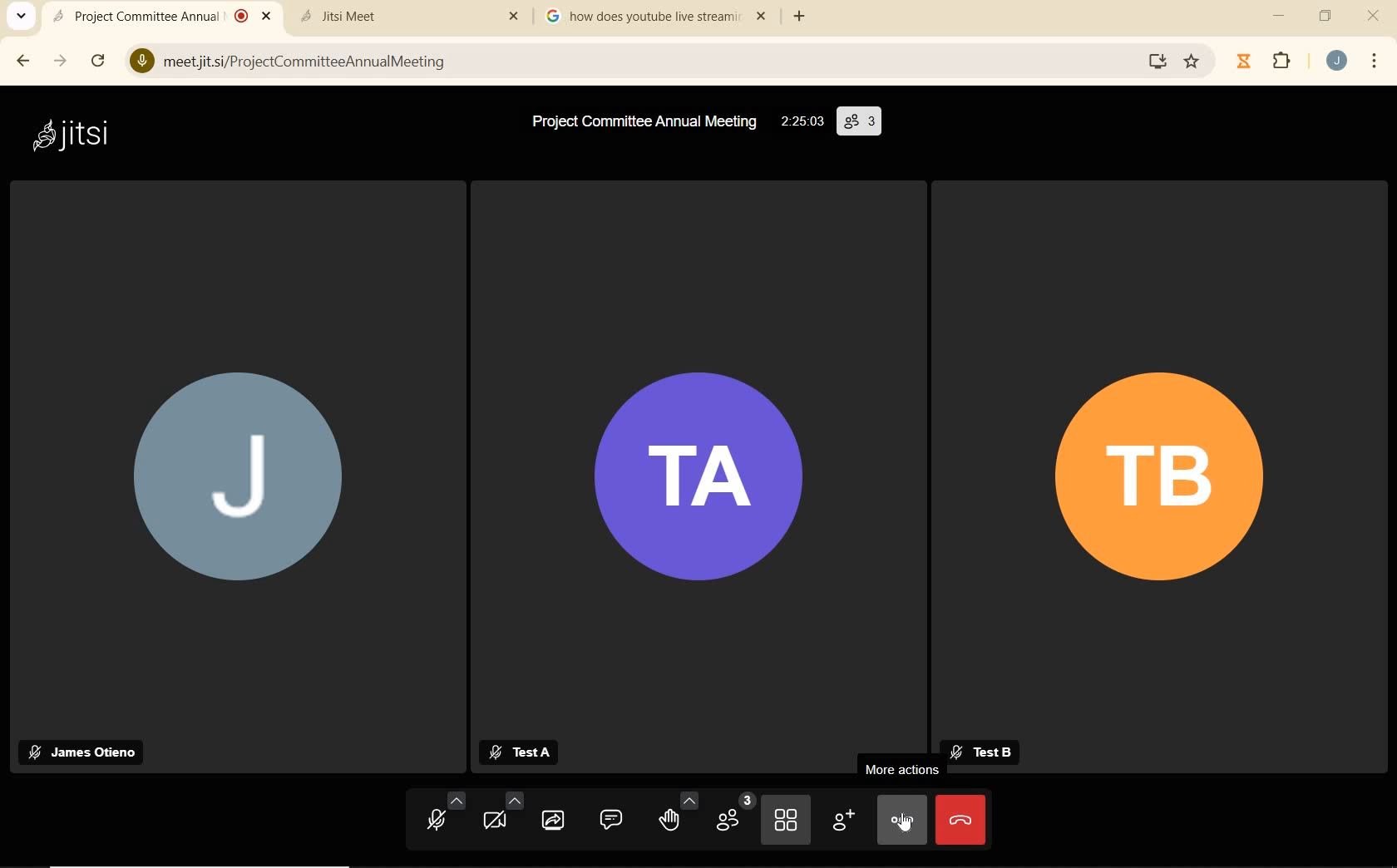 The height and width of the screenshot is (868, 1397). I want to click on more actions, so click(901, 818).